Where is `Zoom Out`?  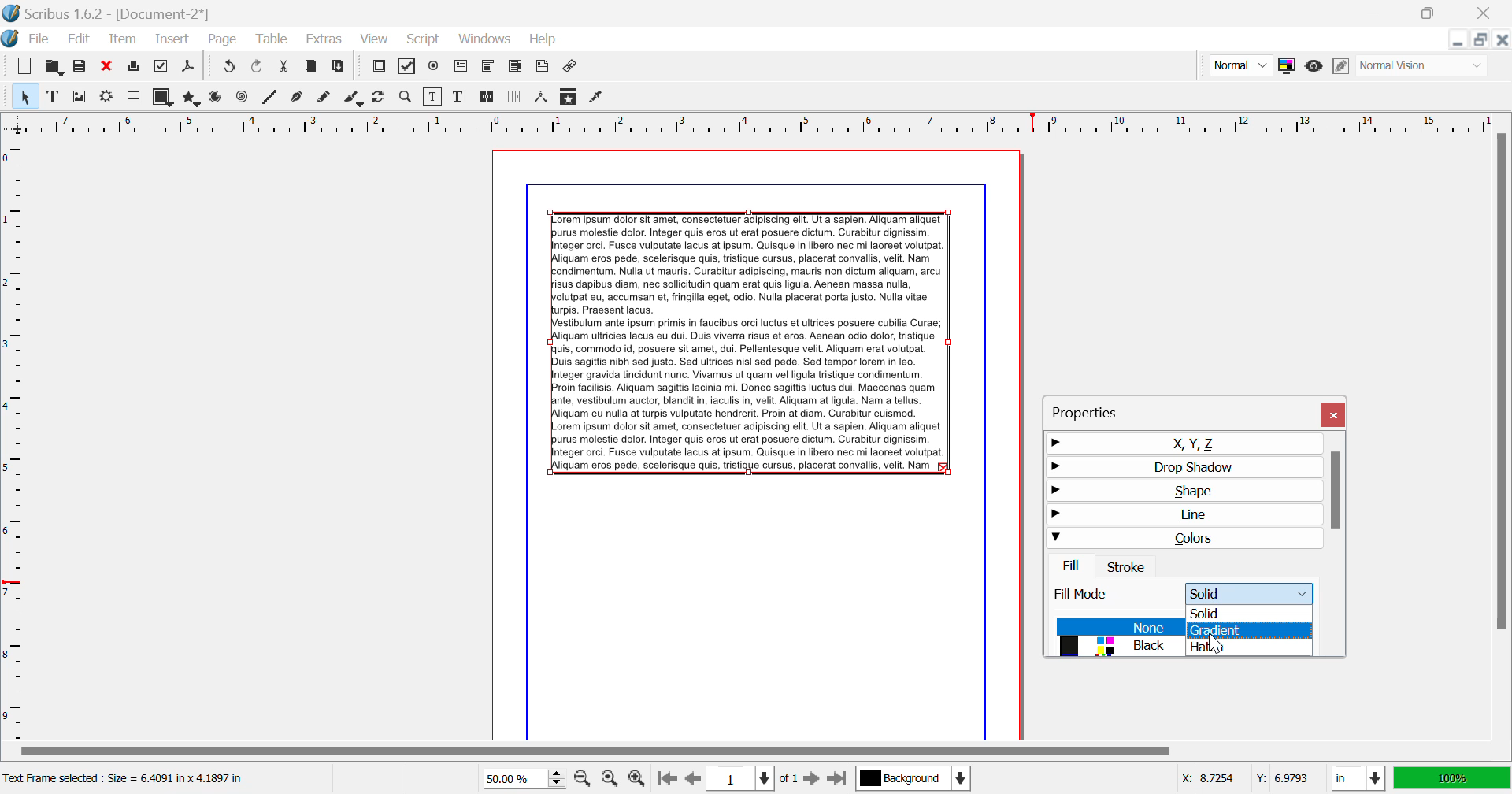
Zoom Out is located at coordinates (584, 777).